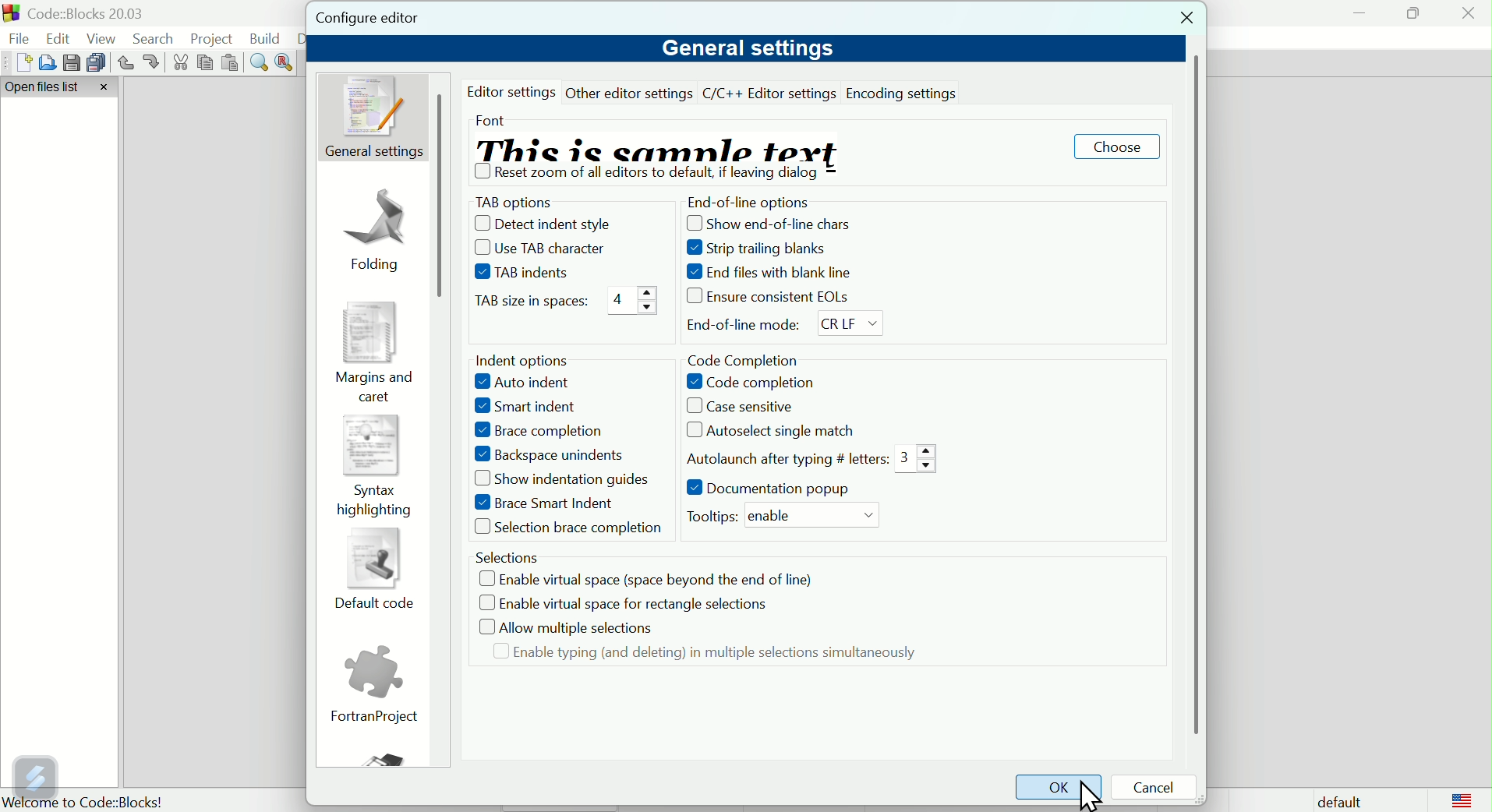 This screenshot has height=812, width=1492. Describe the element at coordinates (9, 13) in the screenshot. I see `app logo` at that location.